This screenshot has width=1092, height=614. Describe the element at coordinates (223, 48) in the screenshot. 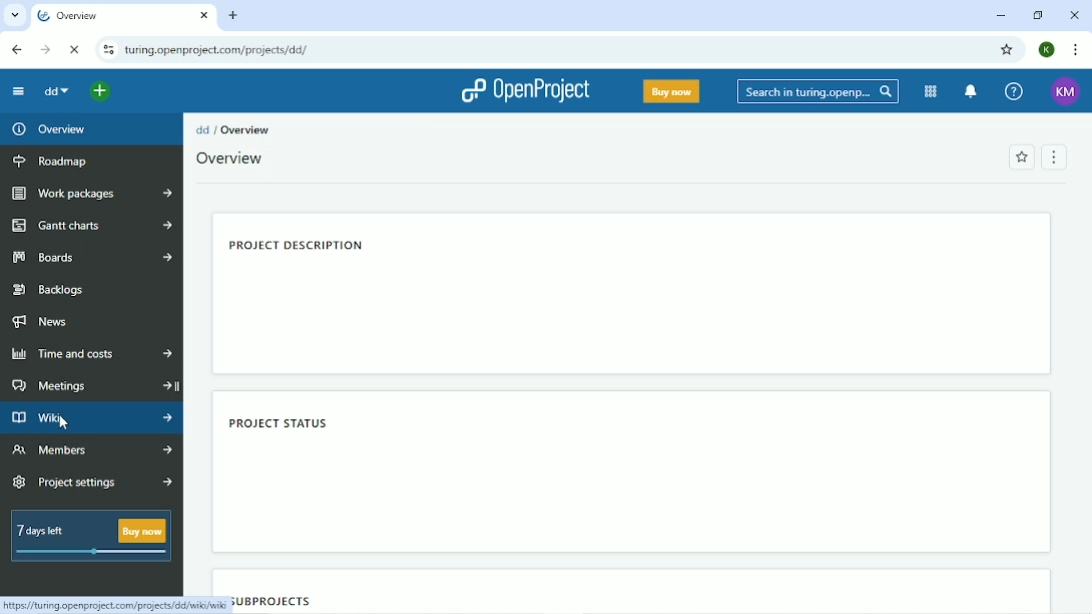

I see `turing.openproect.com/progects/dd/` at that location.